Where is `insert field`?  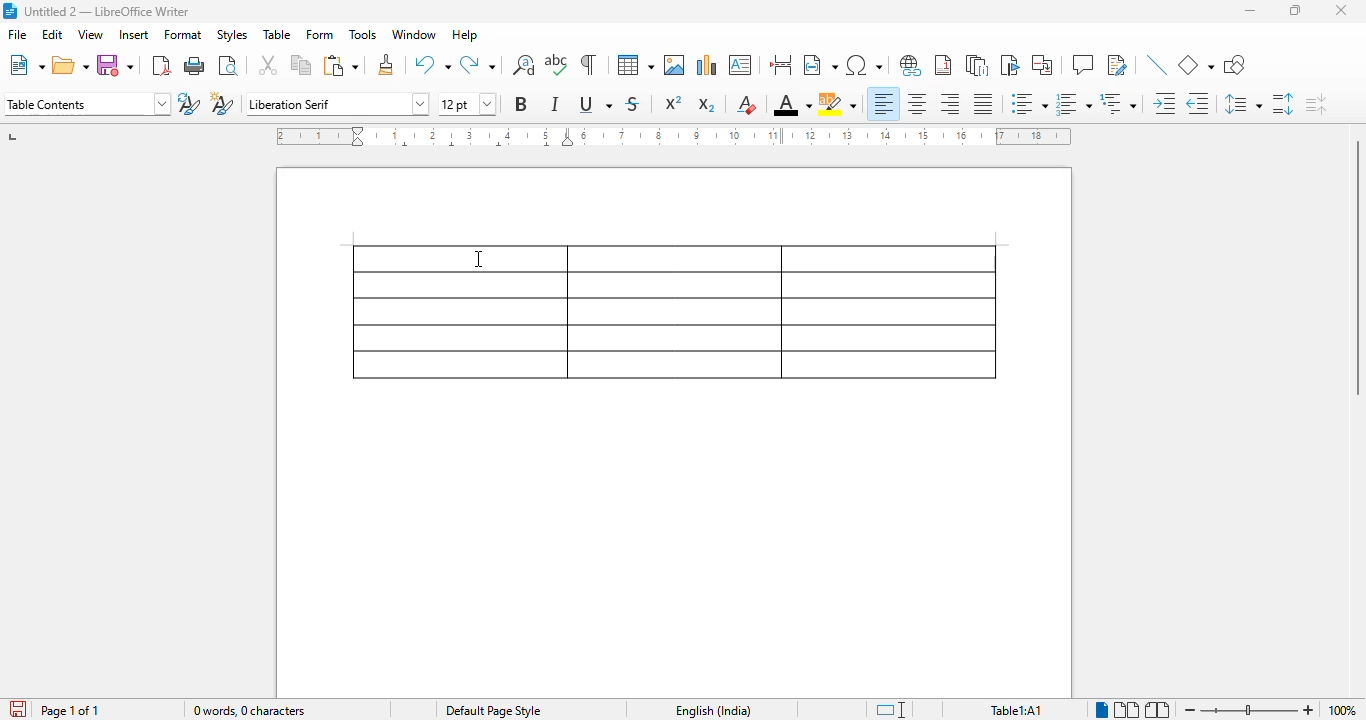
insert field is located at coordinates (820, 64).